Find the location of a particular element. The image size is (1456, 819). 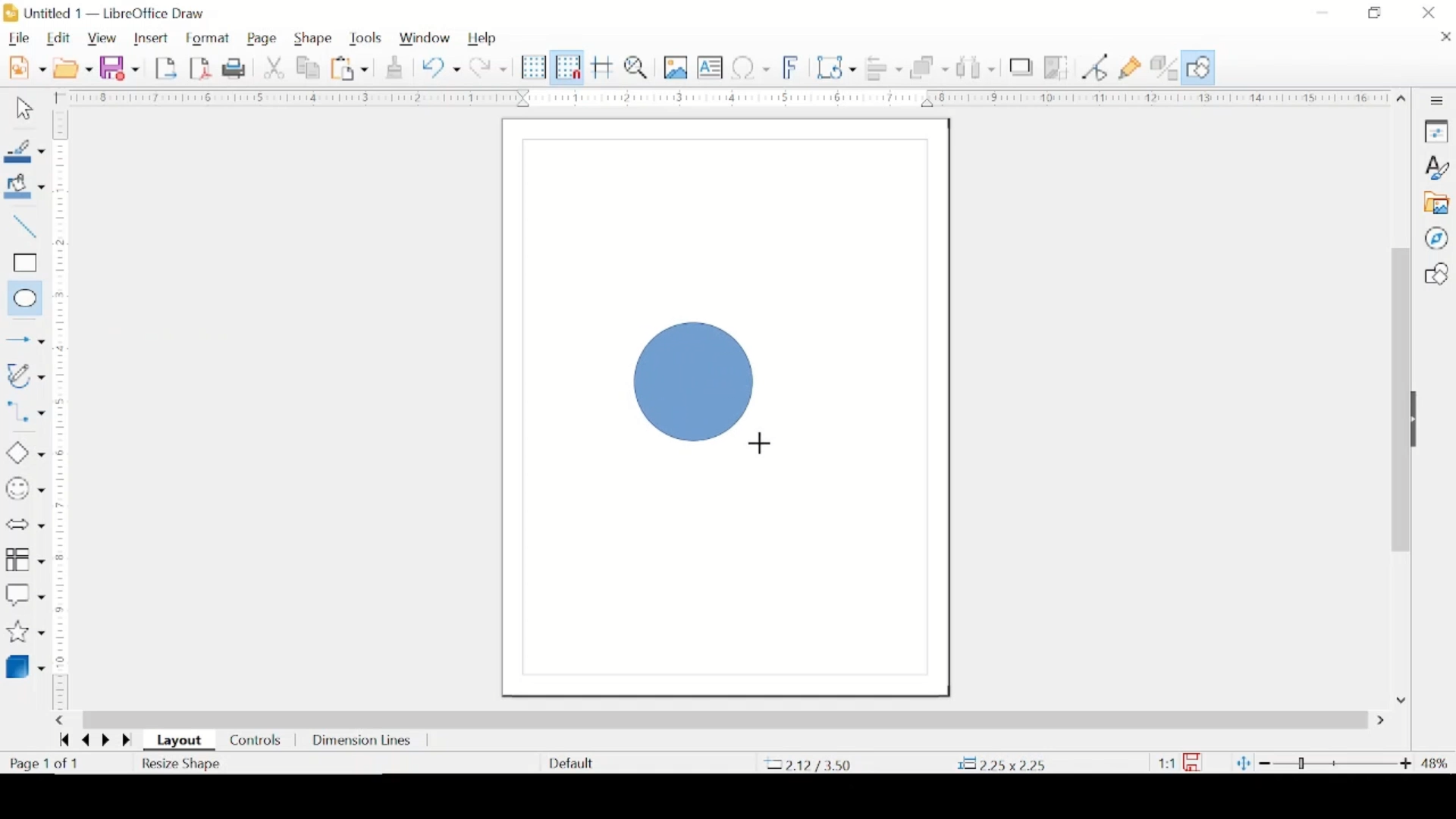

open is located at coordinates (74, 67).